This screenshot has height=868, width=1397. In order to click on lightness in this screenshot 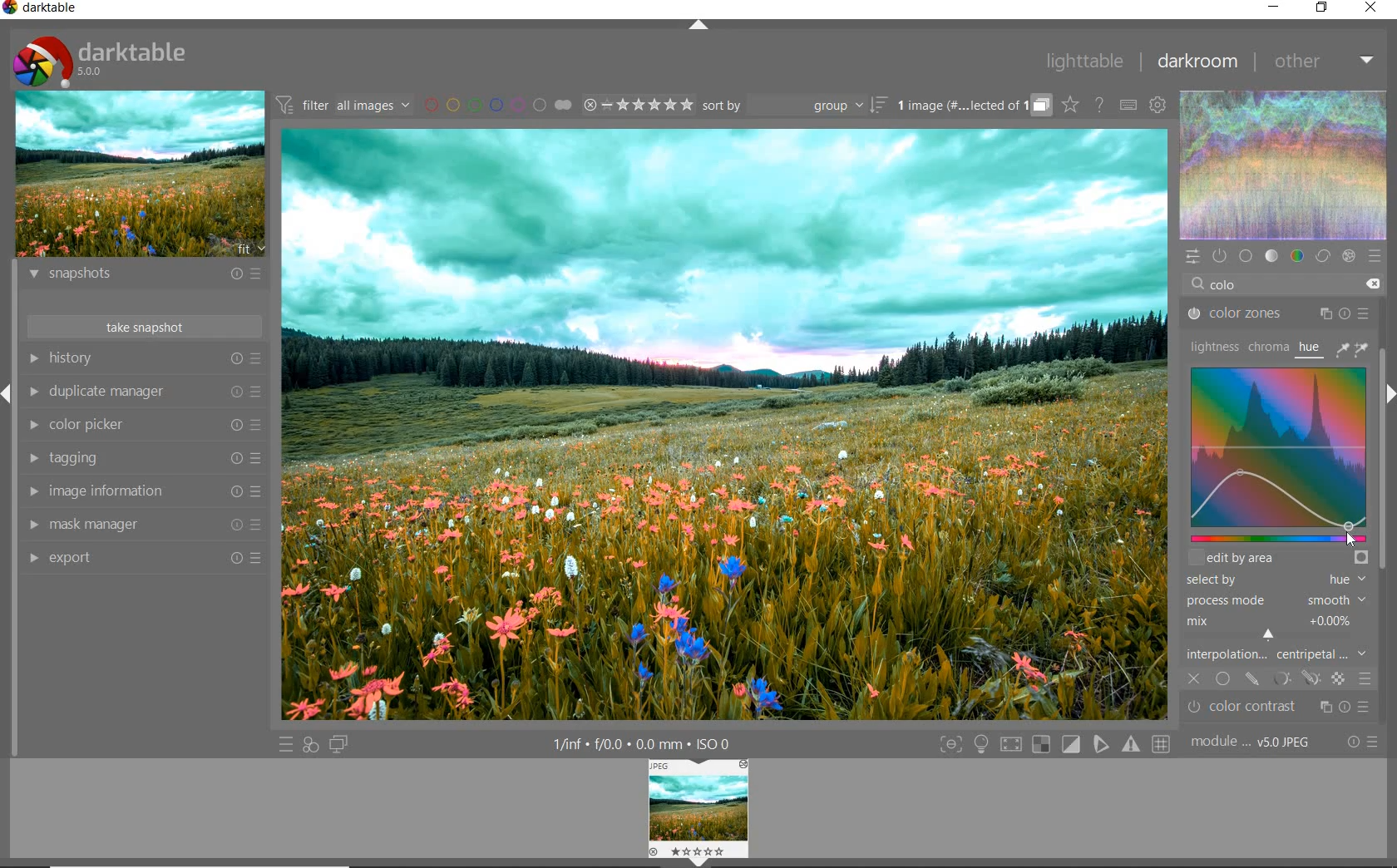, I will do `click(1214, 346)`.